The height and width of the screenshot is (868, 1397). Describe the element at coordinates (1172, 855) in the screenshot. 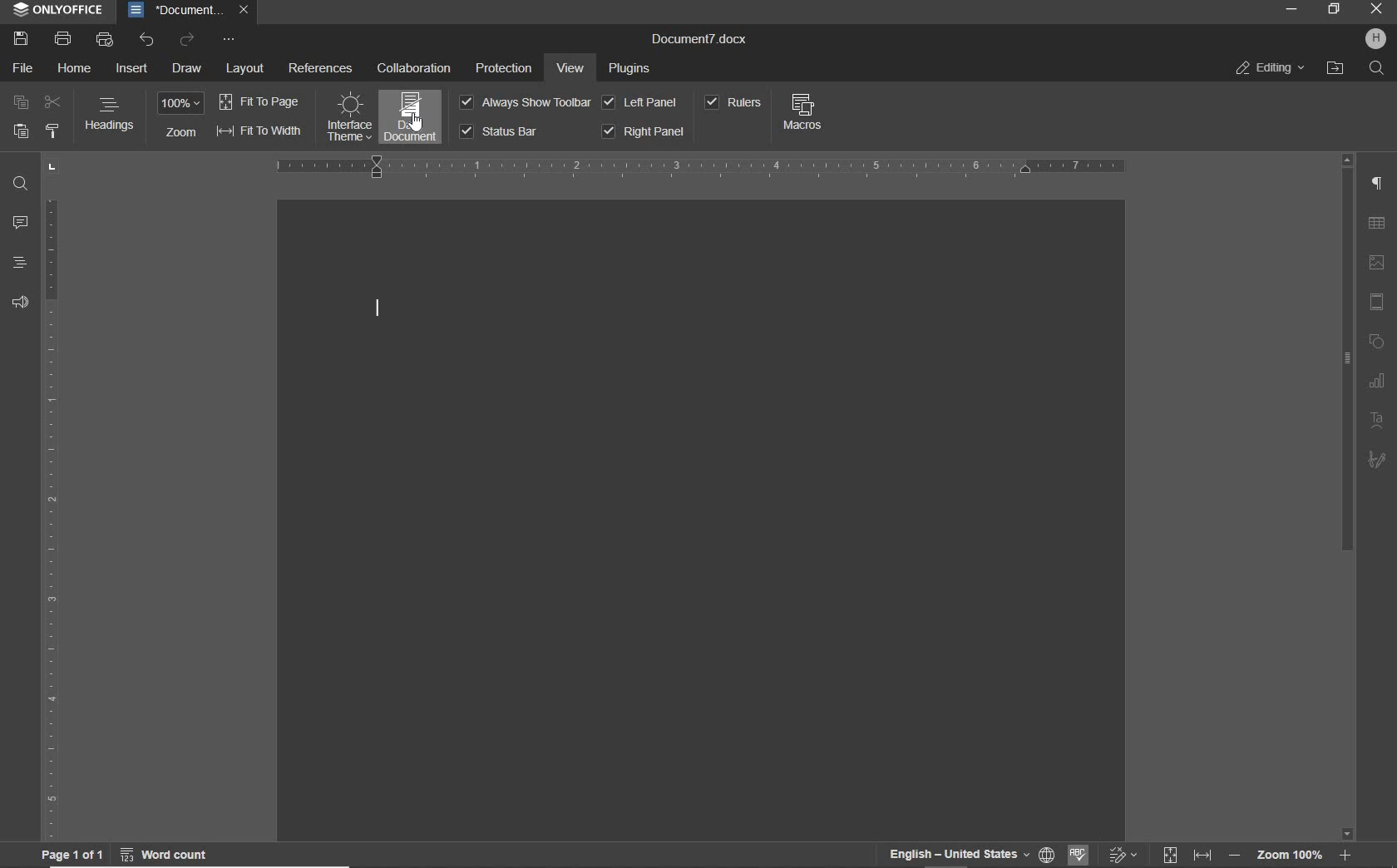

I see `FIT TO PAGE` at that location.